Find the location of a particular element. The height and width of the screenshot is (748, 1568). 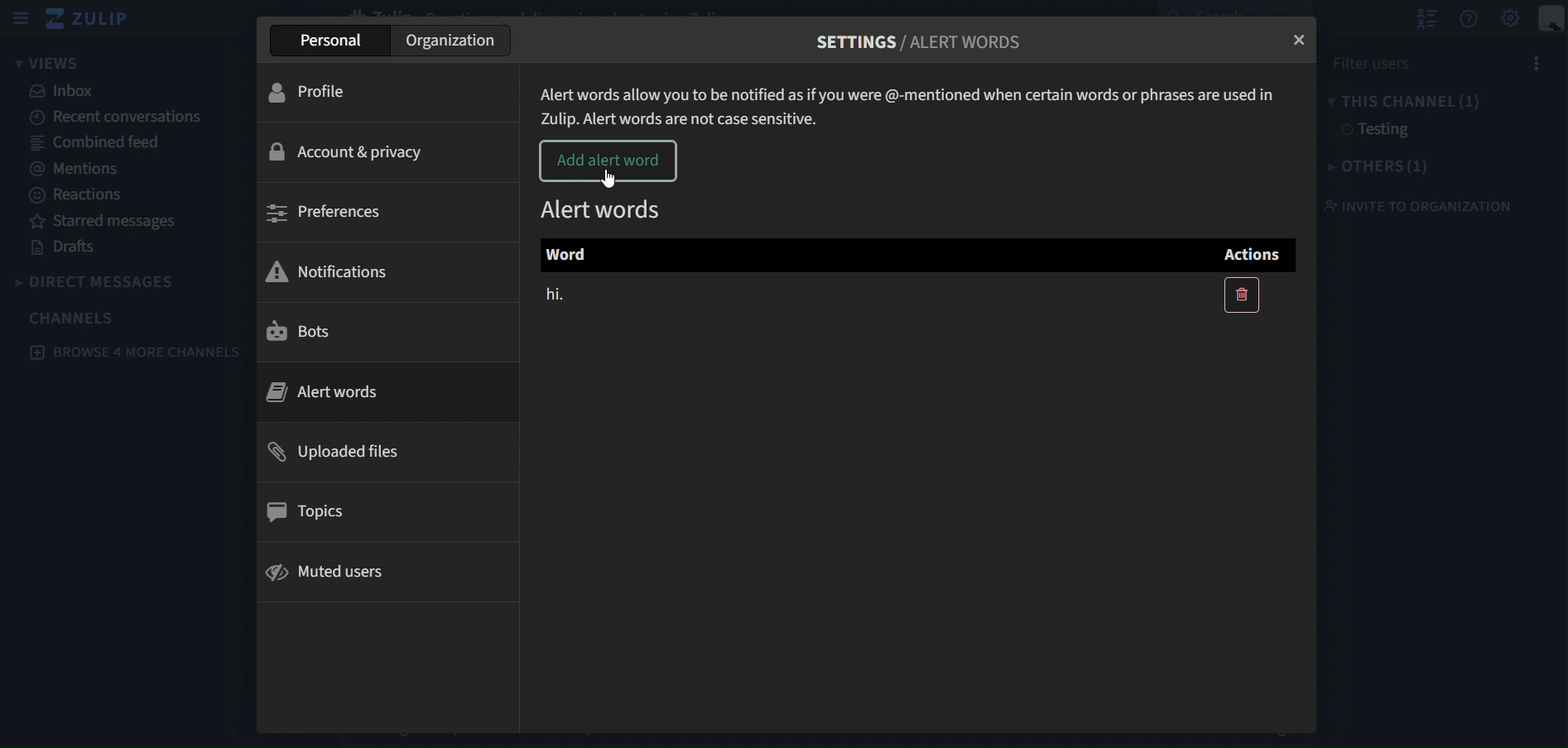

personal is located at coordinates (336, 39).